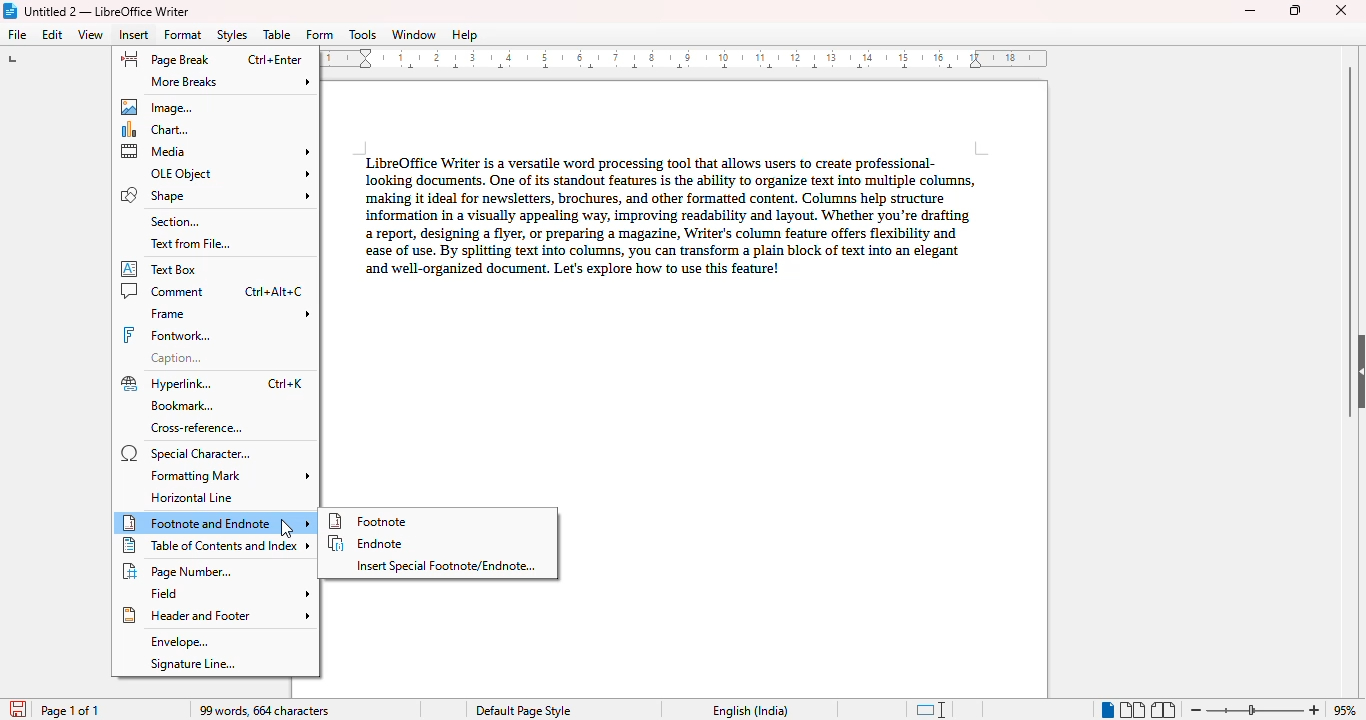  Describe the element at coordinates (216, 151) in the screenshot. I see `media` at that location.